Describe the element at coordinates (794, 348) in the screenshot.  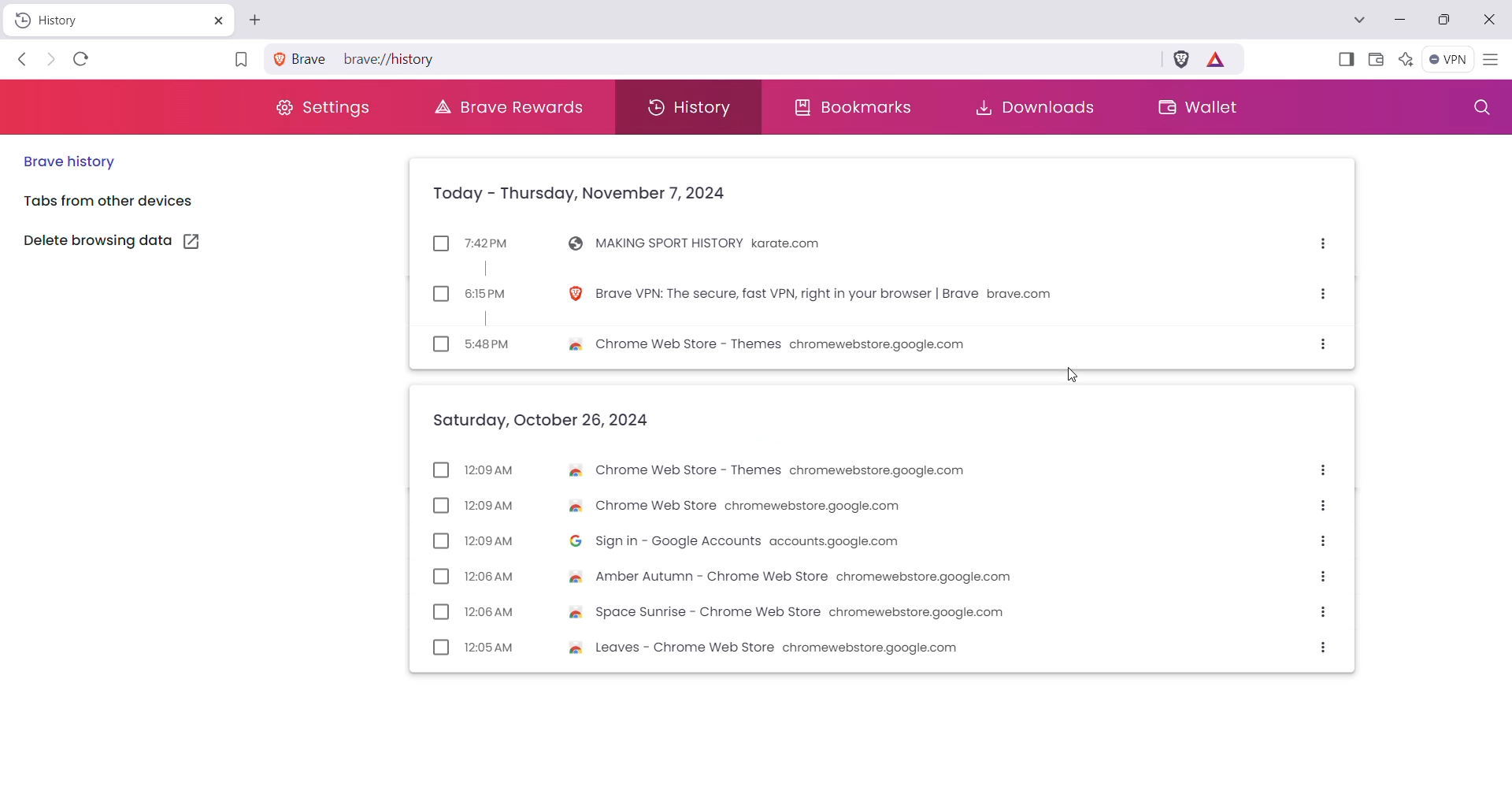
I see `Chrome Web Store - Themes chromewebstore.google.com` at that location.